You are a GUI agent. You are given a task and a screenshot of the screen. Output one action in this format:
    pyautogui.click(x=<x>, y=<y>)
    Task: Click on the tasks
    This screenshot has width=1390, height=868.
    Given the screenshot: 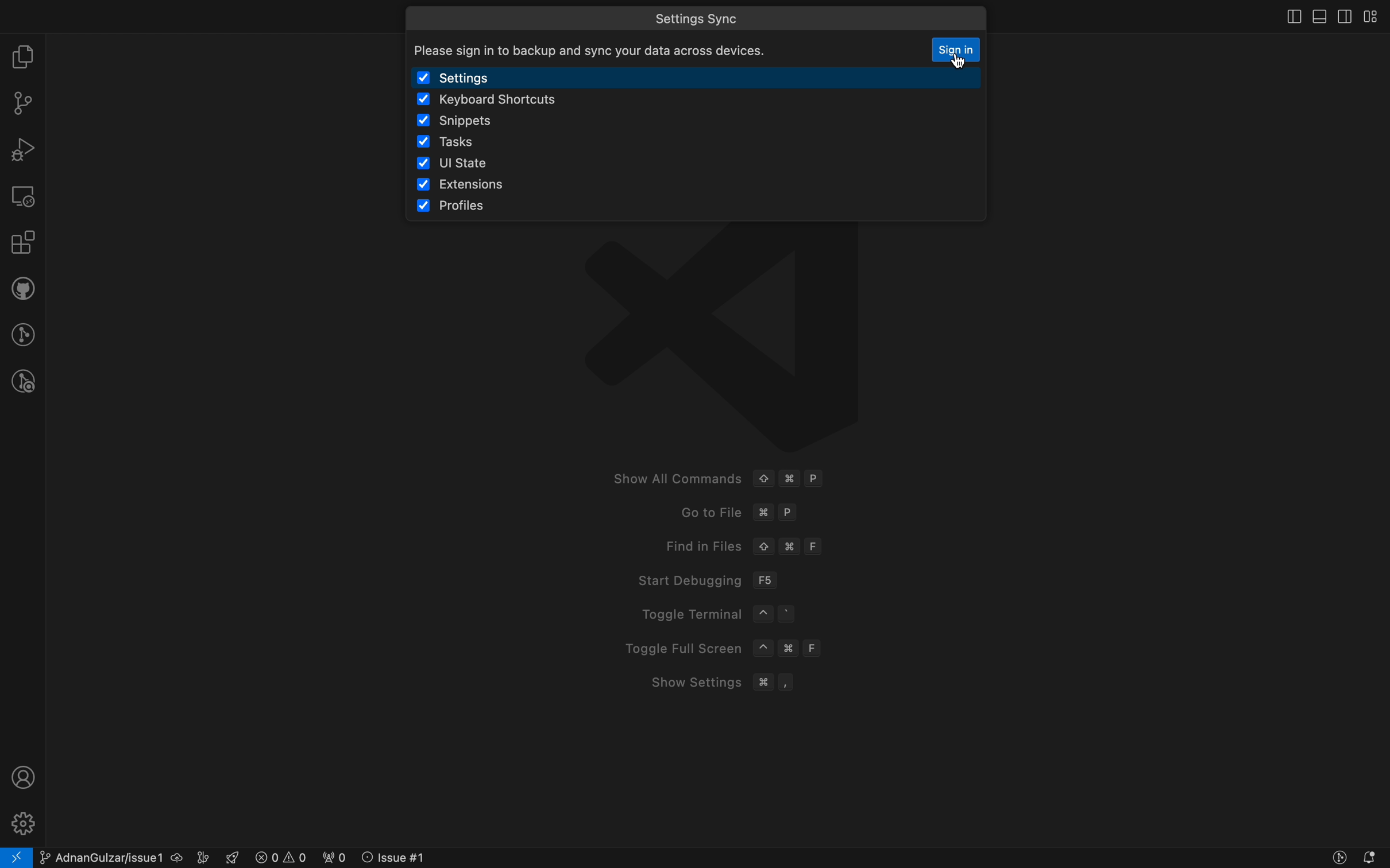 What is the action you would take?
    pyautogui.click(x=464, y=142)
    